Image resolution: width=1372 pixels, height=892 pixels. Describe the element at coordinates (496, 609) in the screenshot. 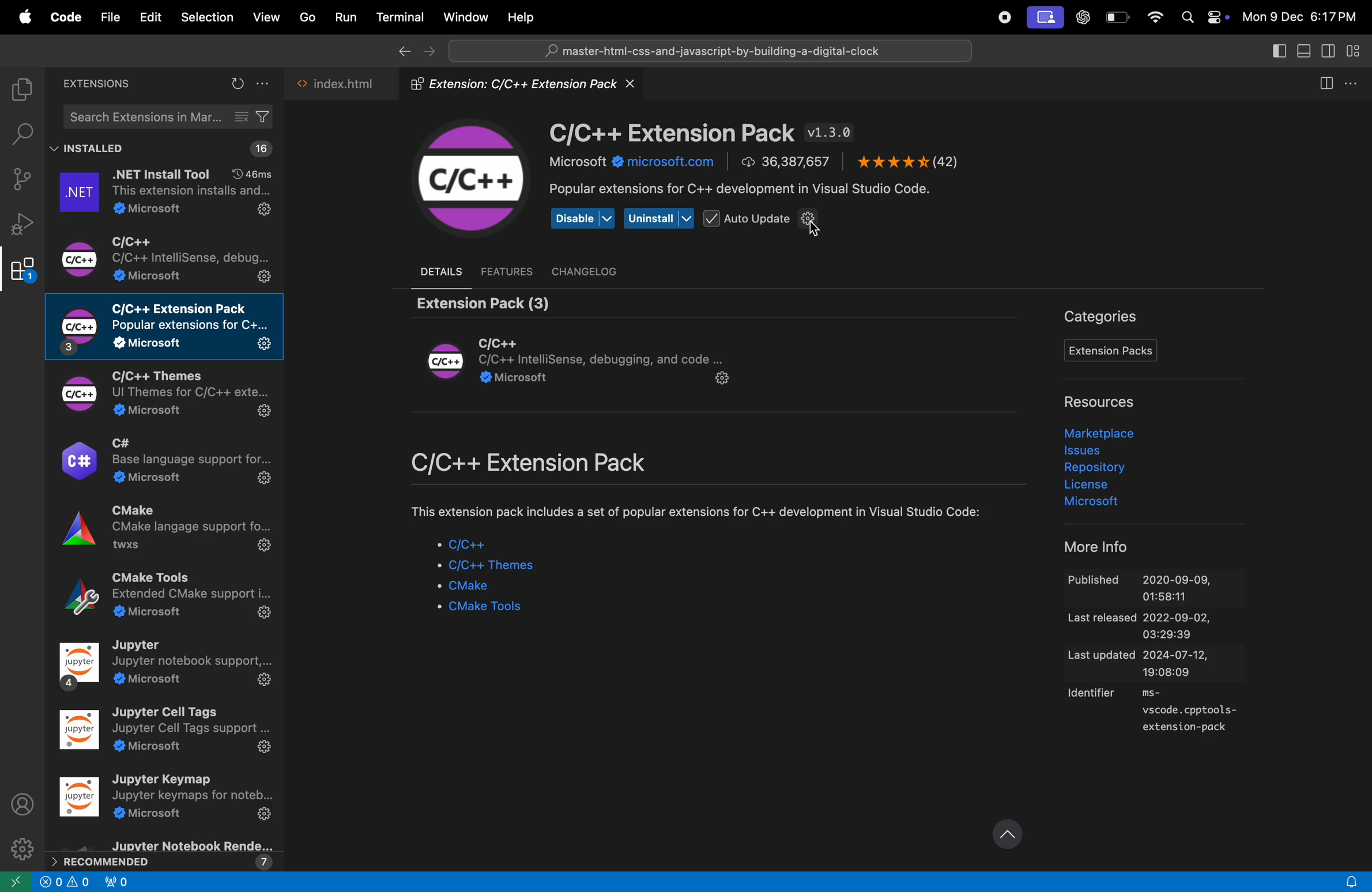

I see `Cmake tools` at that location.